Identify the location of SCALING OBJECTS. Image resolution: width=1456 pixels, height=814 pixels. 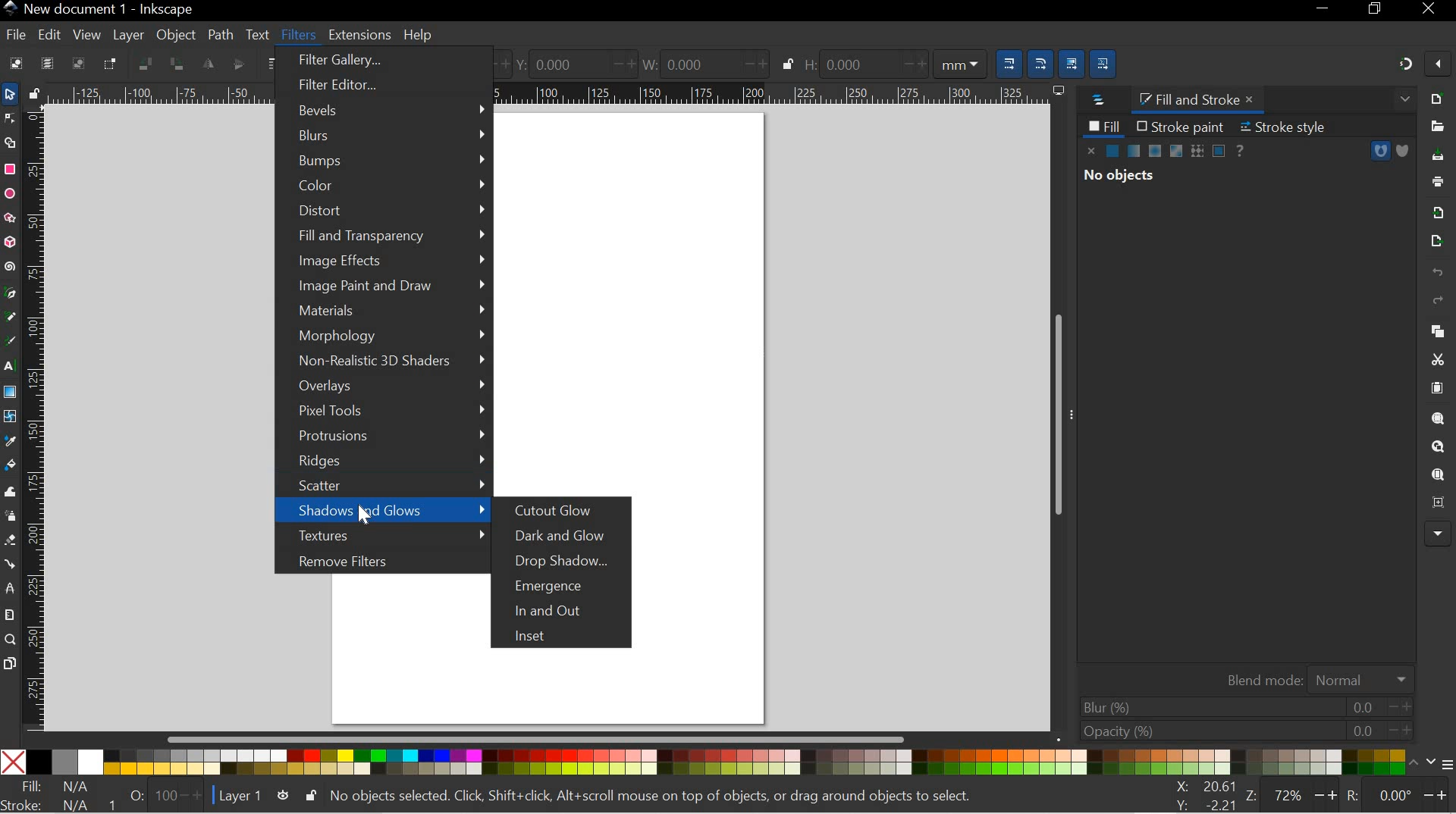
(1006, 61).